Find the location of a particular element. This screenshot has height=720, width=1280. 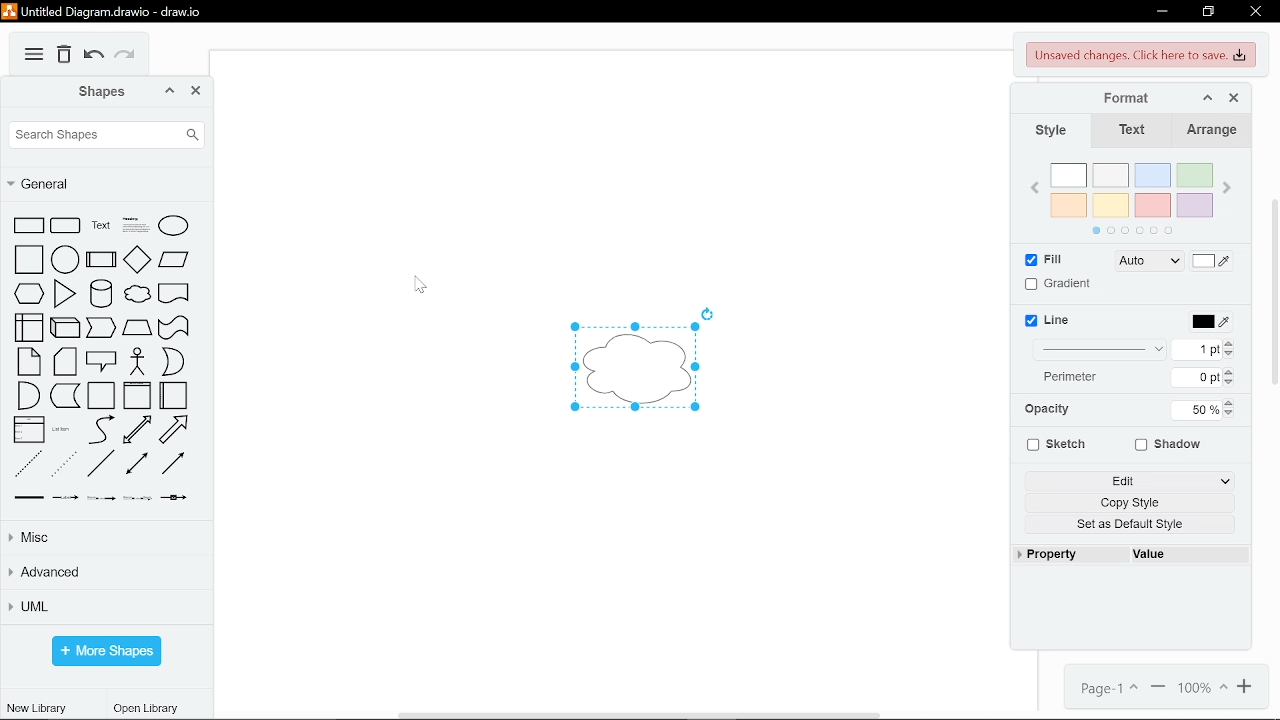

search shapes is located at coordinates (110, 135).